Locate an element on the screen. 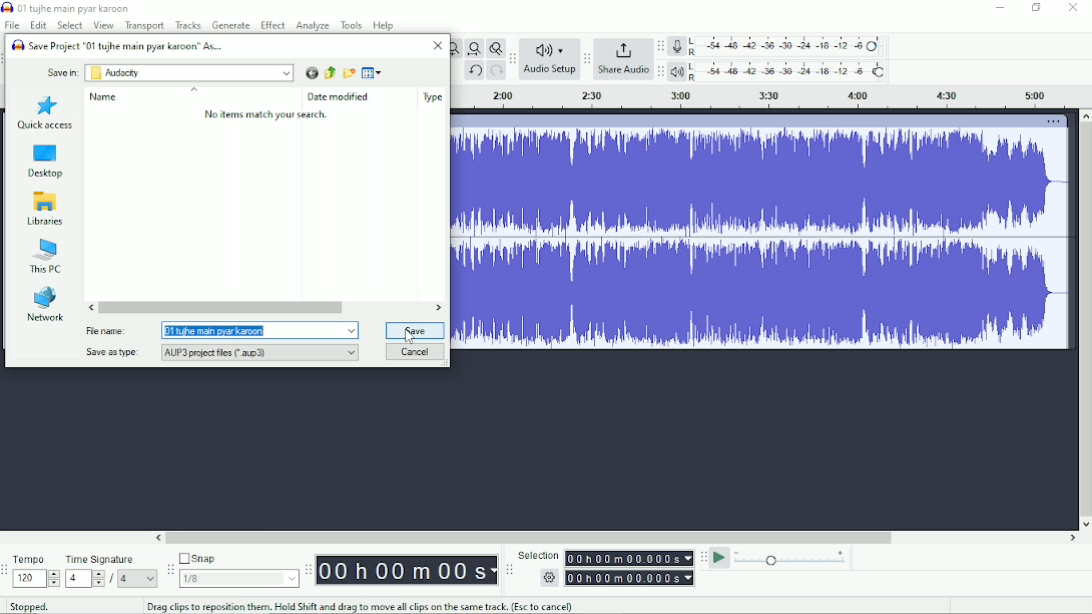 Image resolution: width=1092 pixels, height=614 pixels. Minimize is located at coordinates (1001, 9).